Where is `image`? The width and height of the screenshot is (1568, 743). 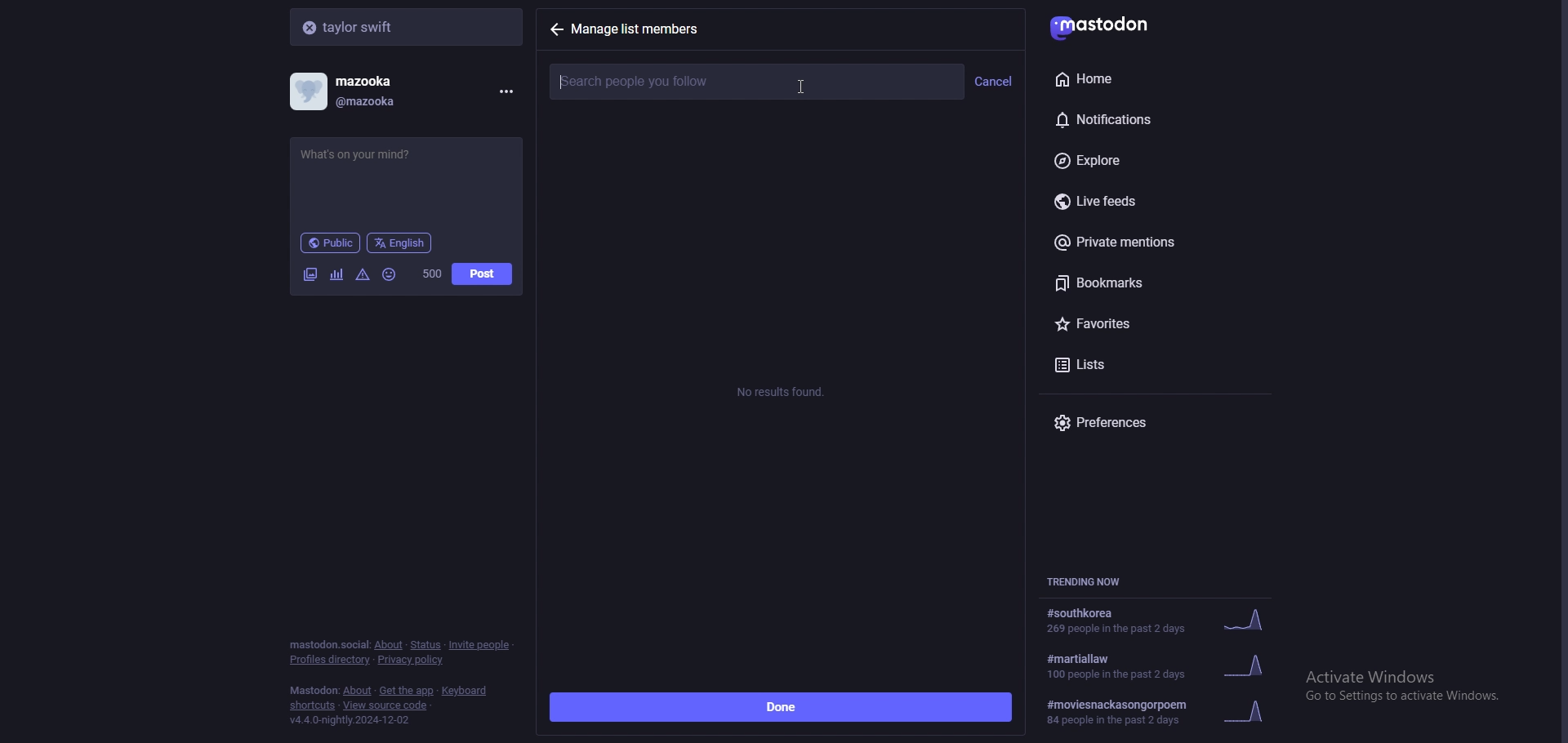 image is located at coordinates (310, 274).